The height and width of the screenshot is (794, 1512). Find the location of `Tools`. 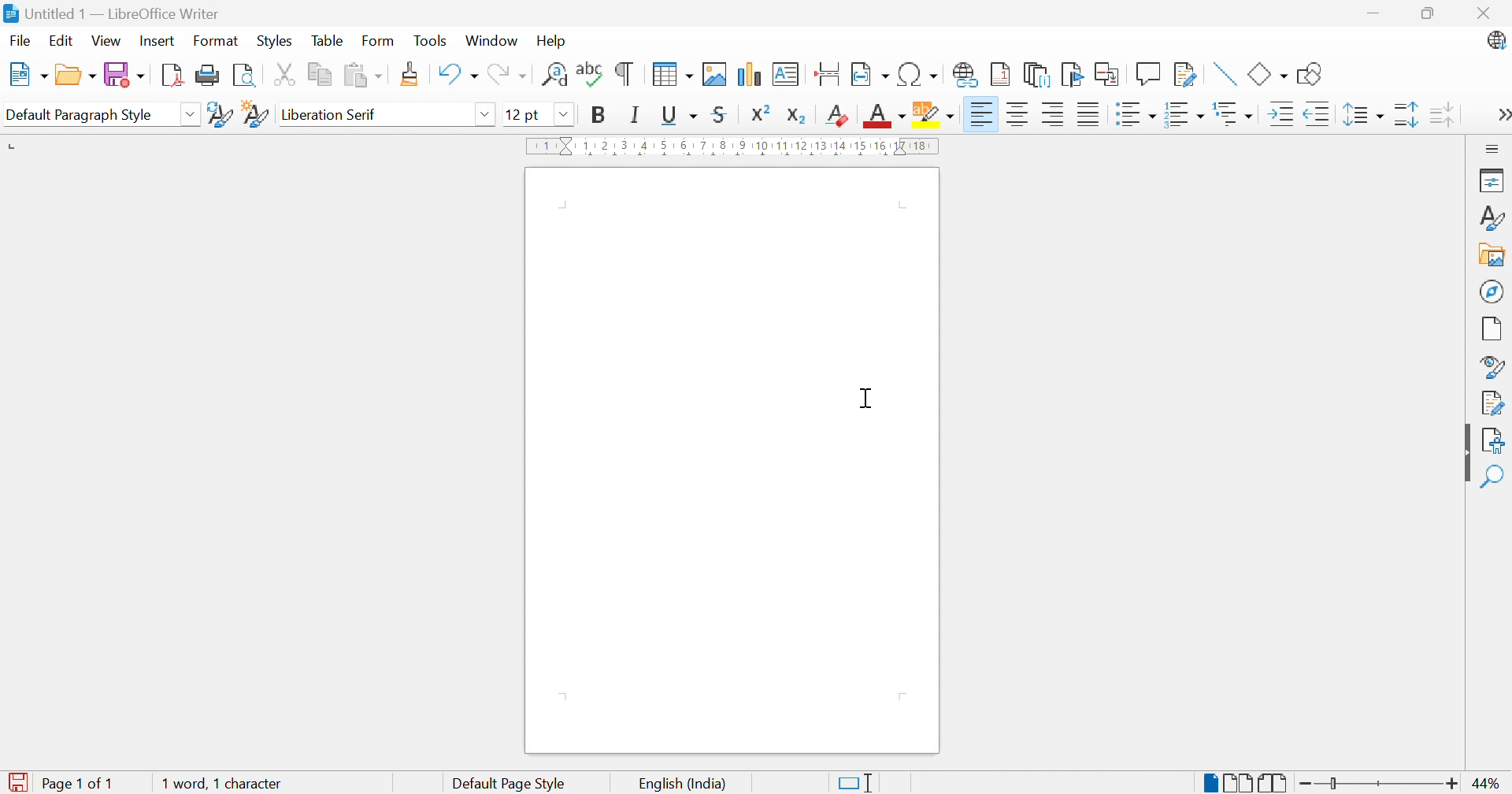

Tools is located at coordinates (430, 40).